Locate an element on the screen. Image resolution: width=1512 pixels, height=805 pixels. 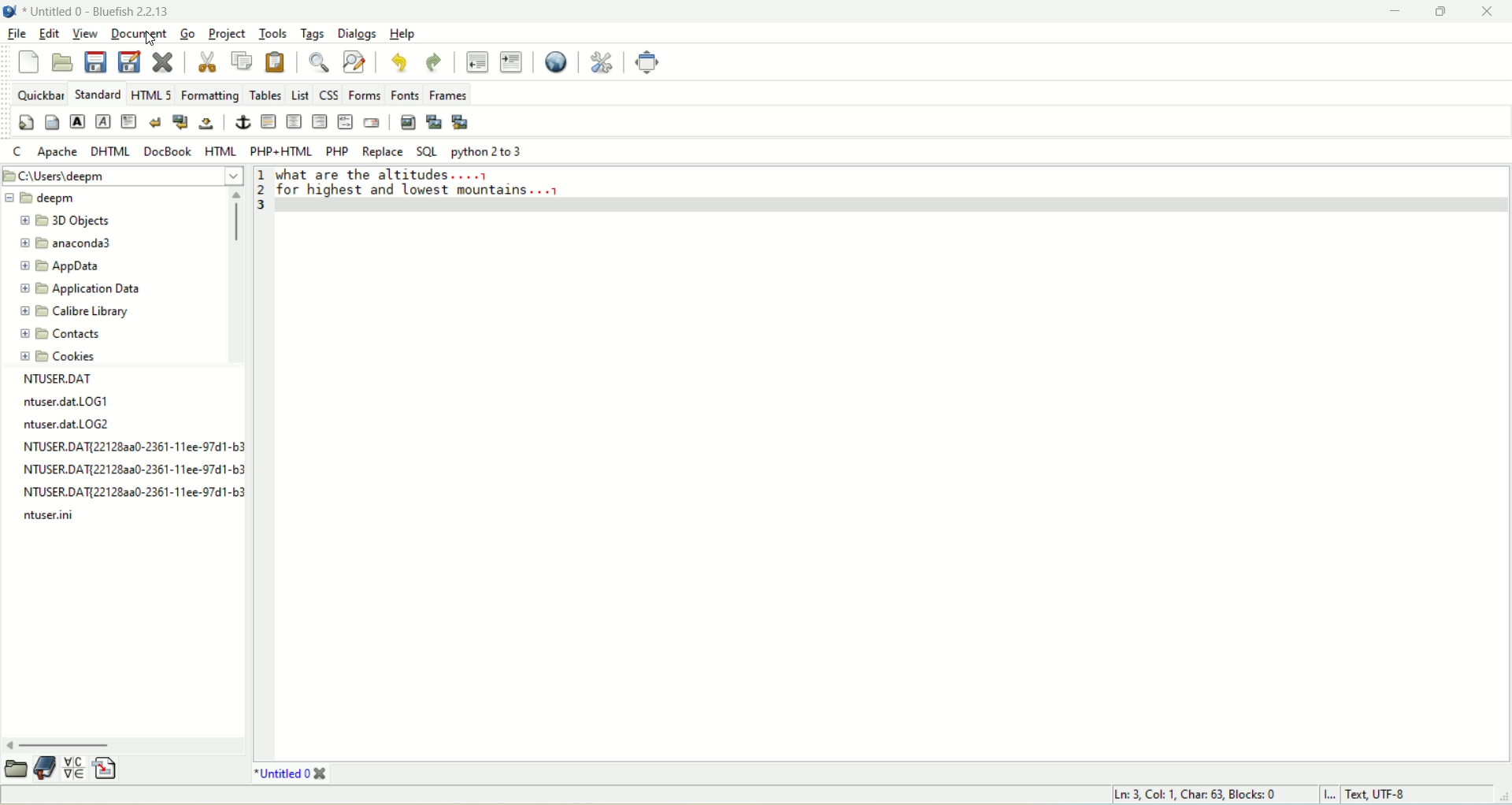
advanced find and replace is located at coordinates (353, 60).